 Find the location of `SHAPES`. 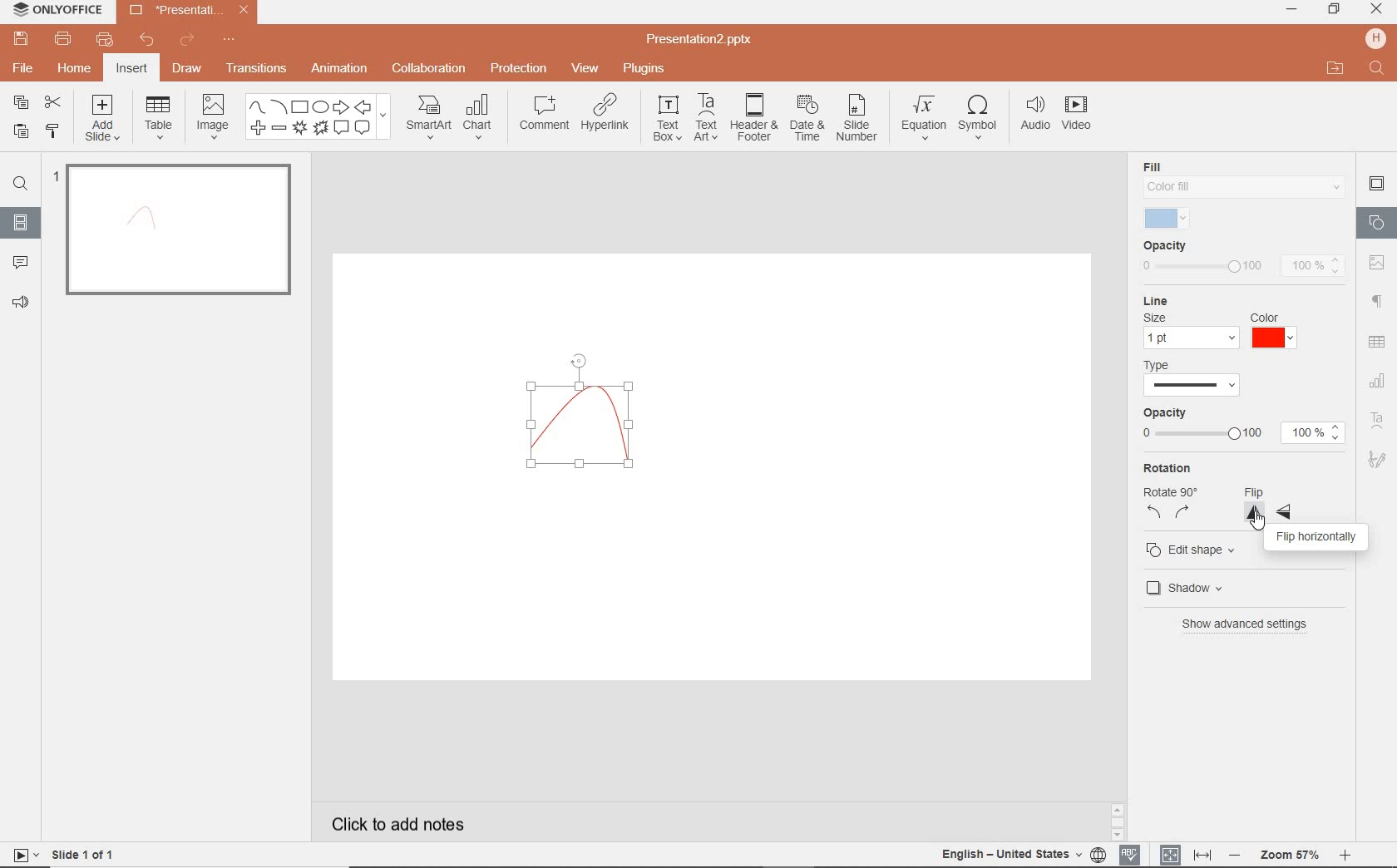

SHAPES is located at coordinates (321, 118).